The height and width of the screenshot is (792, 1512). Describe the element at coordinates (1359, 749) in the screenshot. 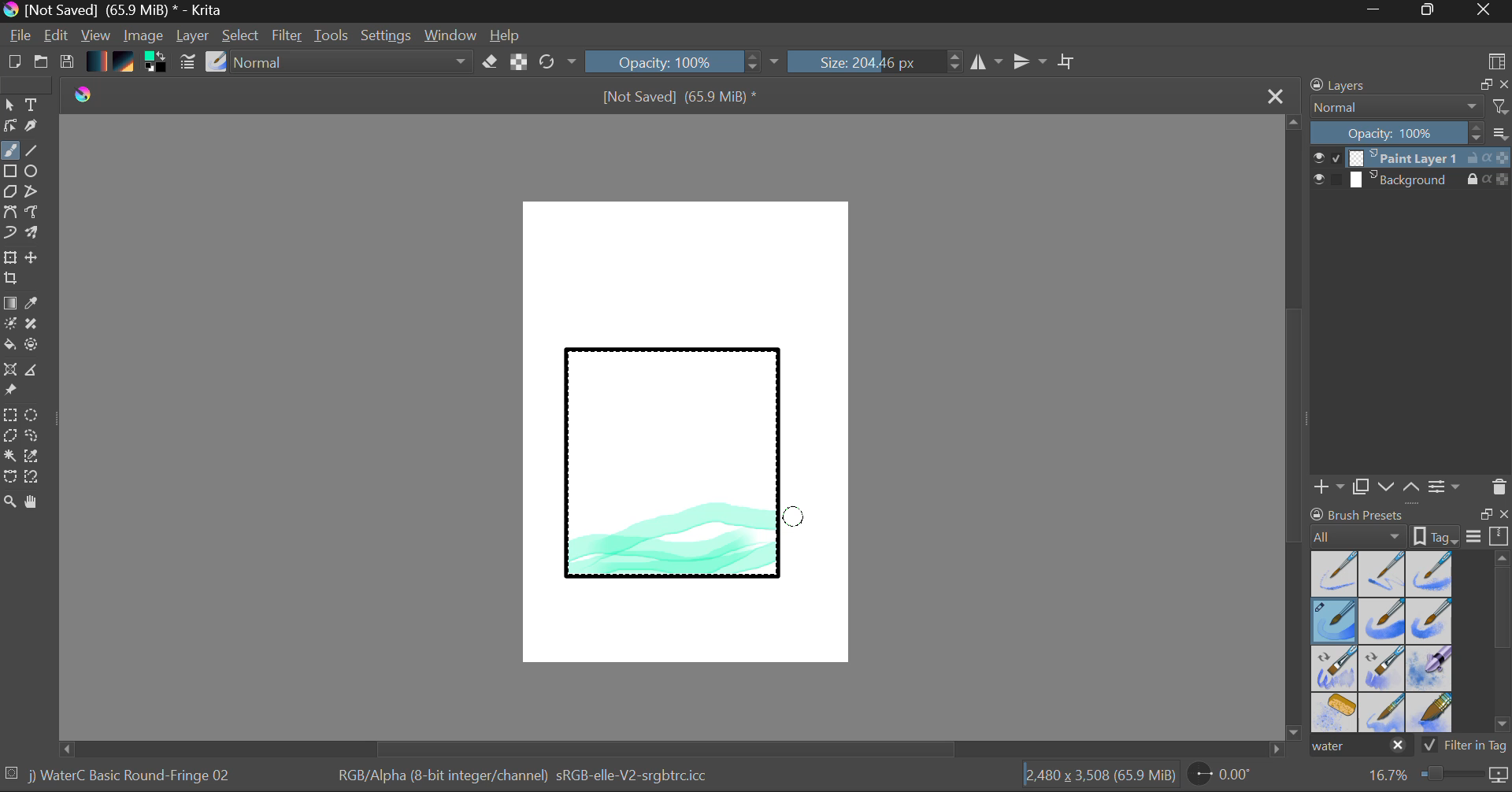

I see `"water" search in brush presets` at that location.